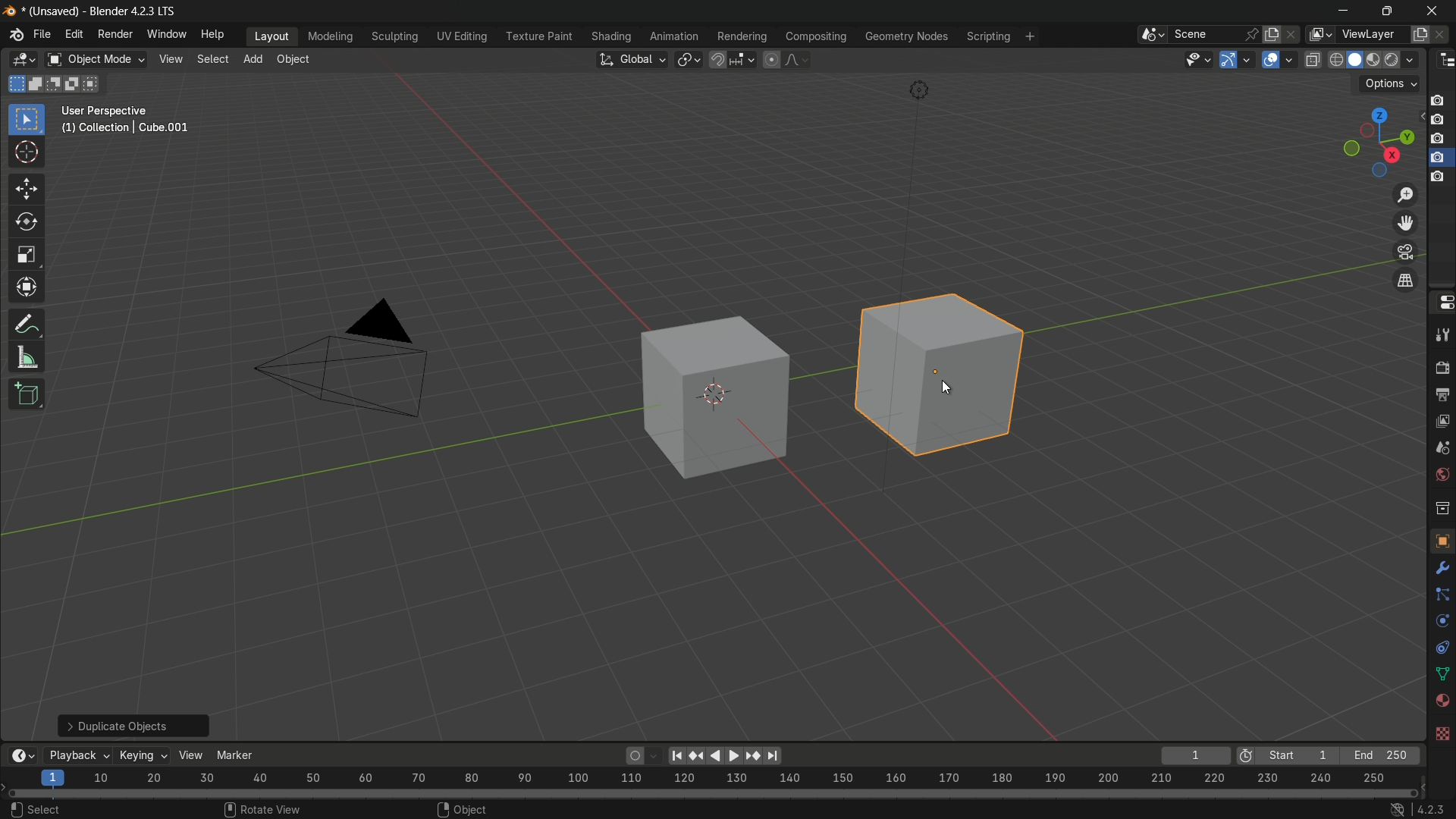 The image size is (1456, 819). What do you see at coordinates (1445, 33) in the screenshot?
I see `remove view layer` at bounding box center [1445, 33].